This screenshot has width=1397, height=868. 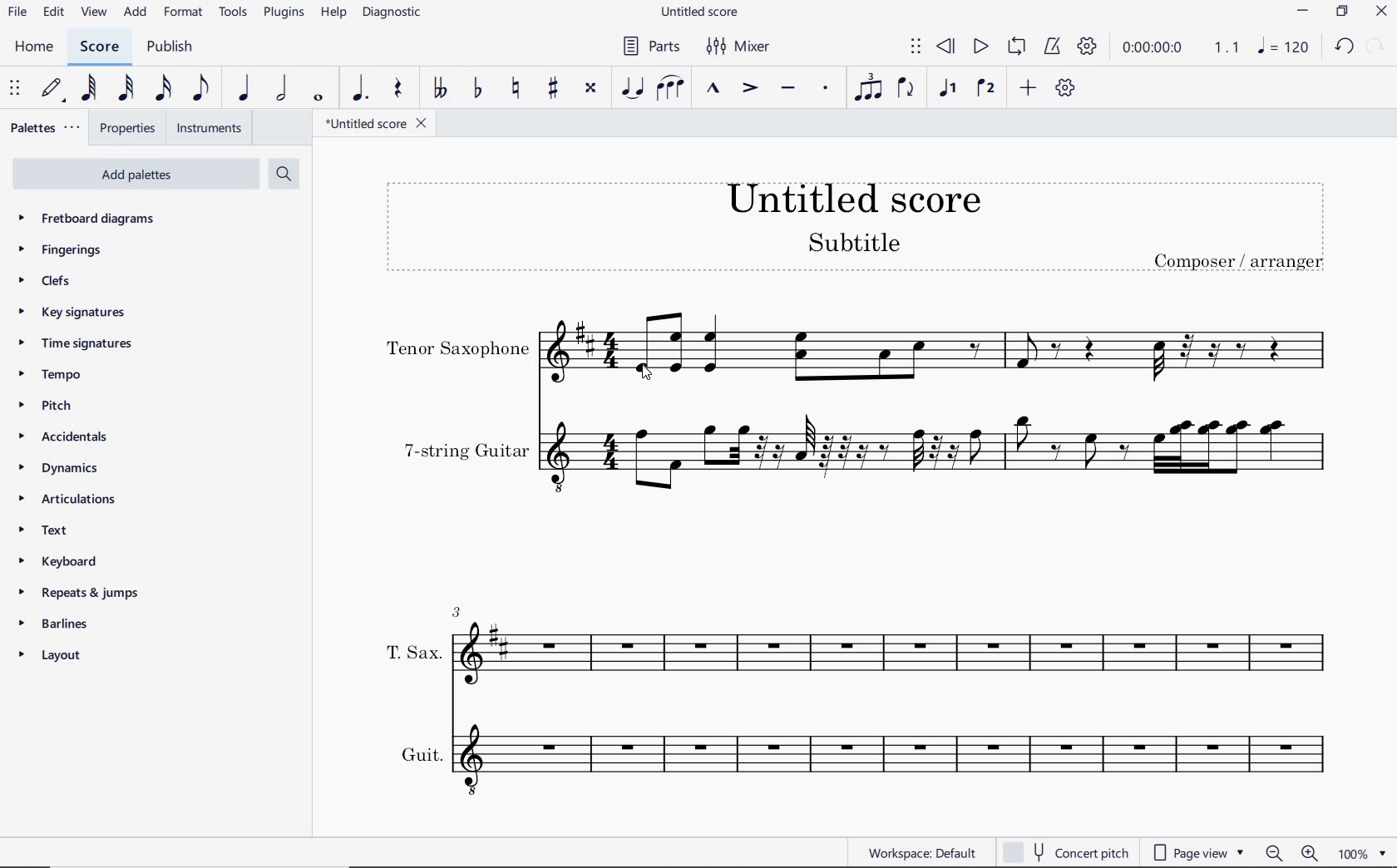 What do you see at coordinates (43, 406) in the screenshot?
I see `PITCH` at bounding box center [43, 406].